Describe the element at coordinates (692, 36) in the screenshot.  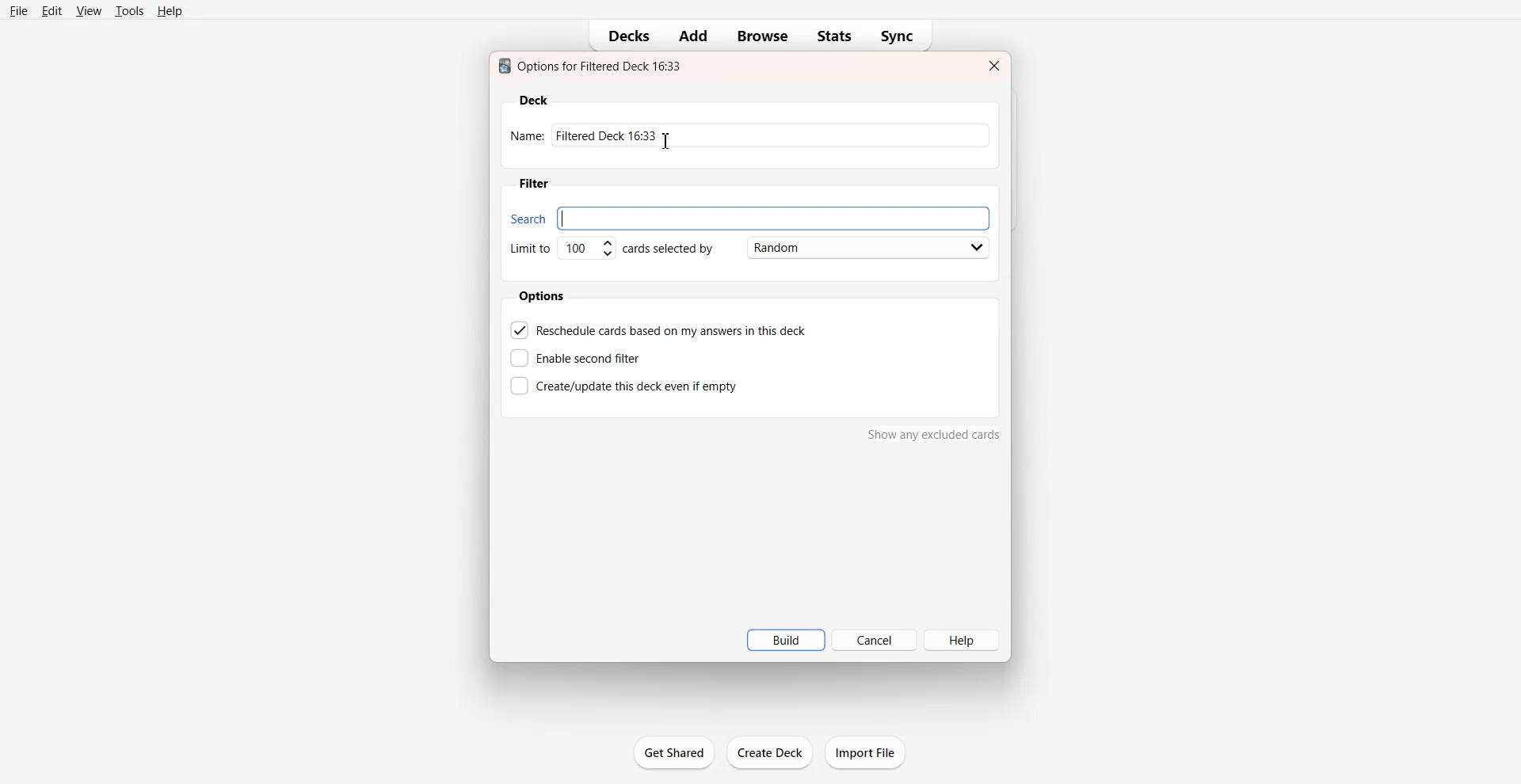
I see `Add` at that location.